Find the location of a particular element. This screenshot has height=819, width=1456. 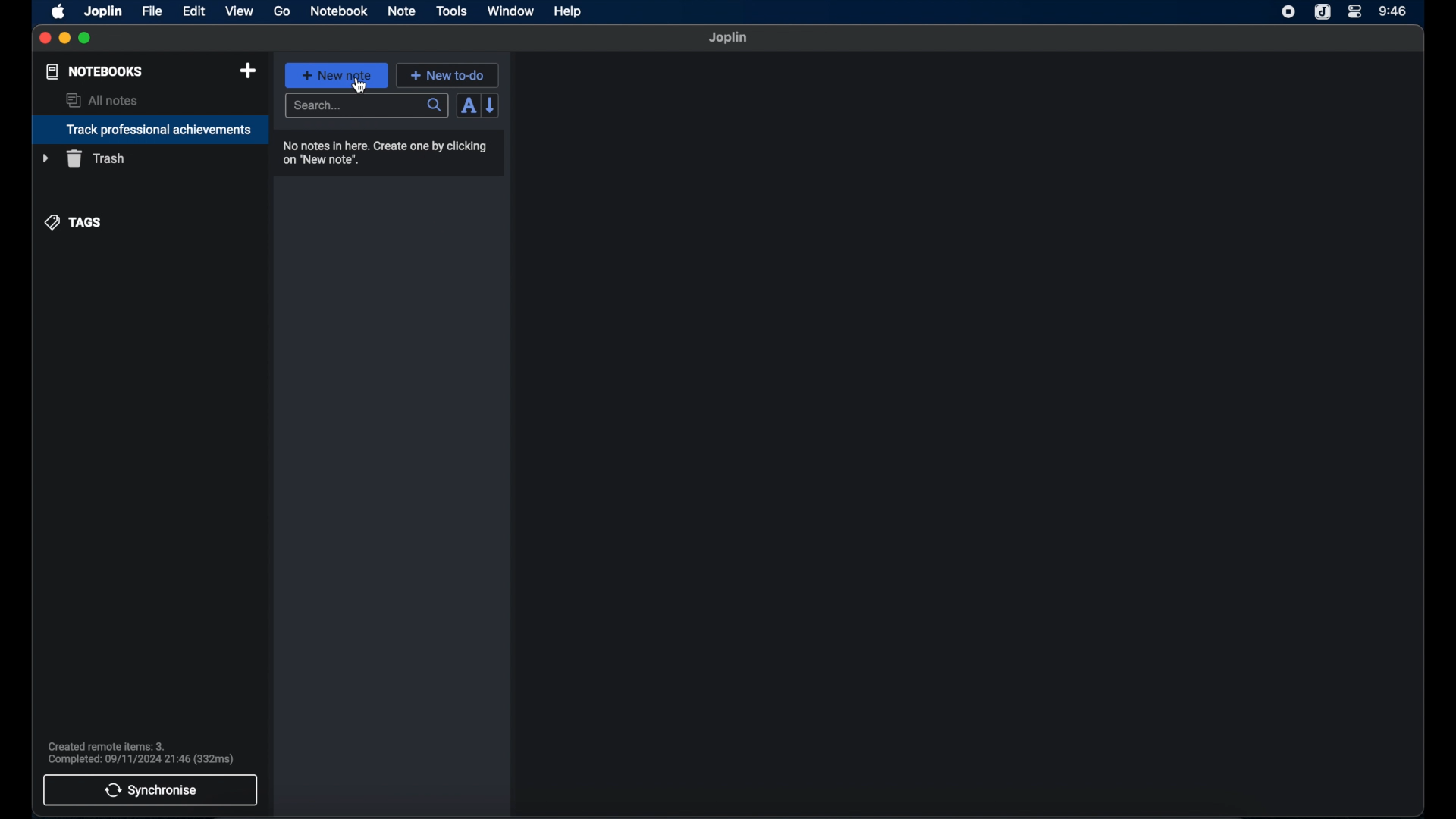

new notebook is located at coordinates (248, 71).